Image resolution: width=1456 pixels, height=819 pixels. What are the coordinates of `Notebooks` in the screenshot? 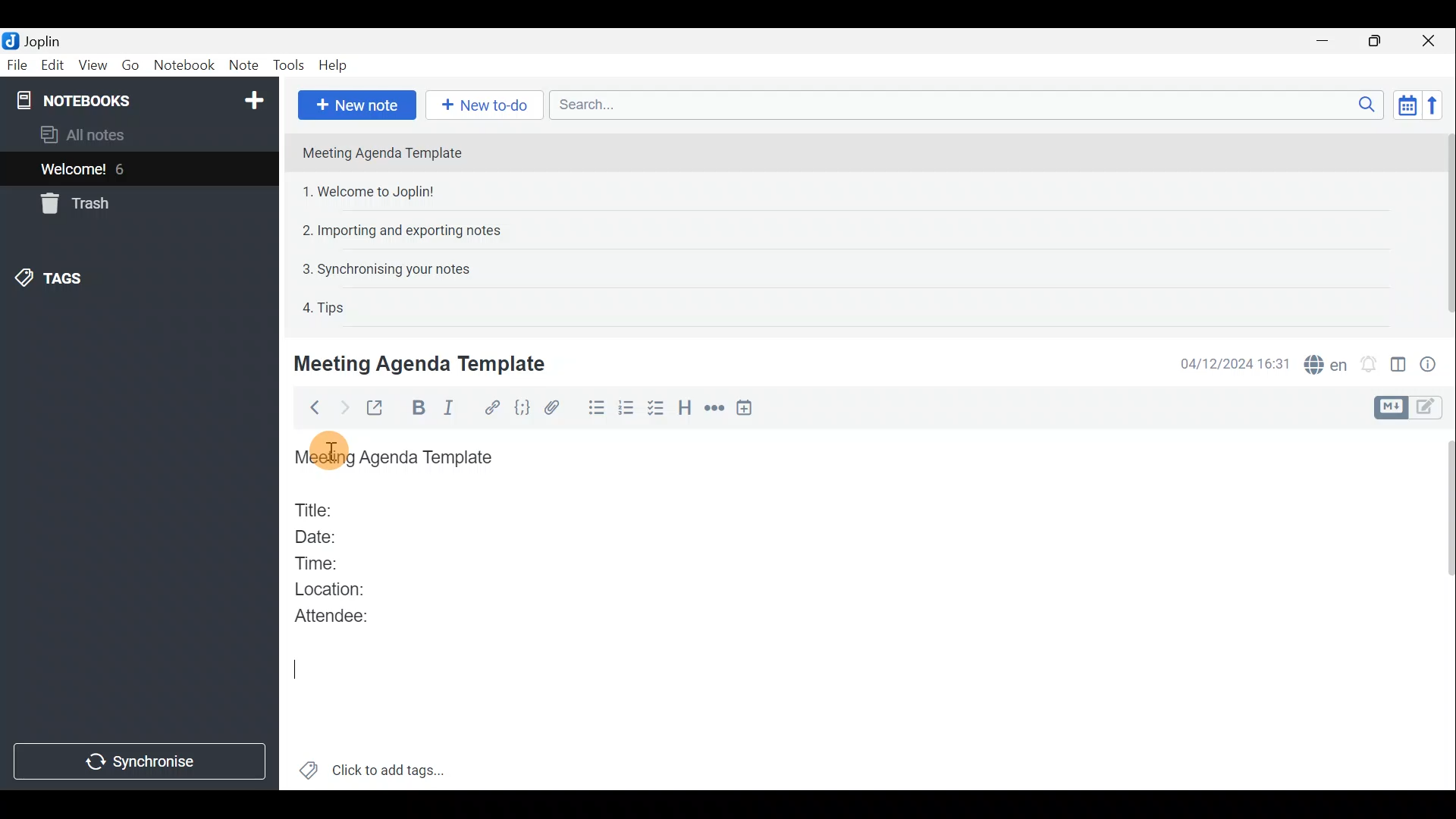 It's located at (142, 99).